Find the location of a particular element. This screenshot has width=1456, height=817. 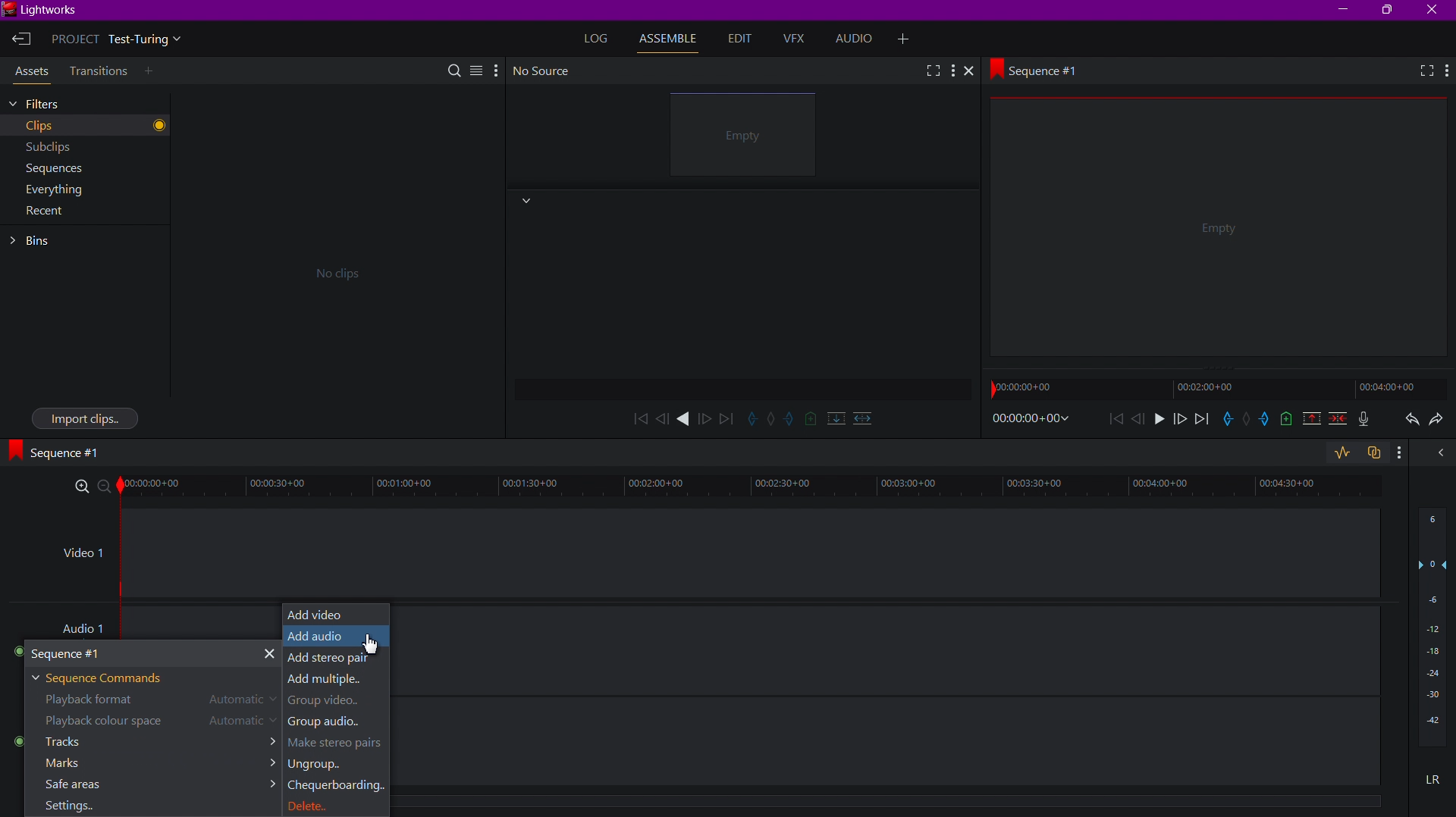

Add stereo pair is located at coordinates (334, 658).